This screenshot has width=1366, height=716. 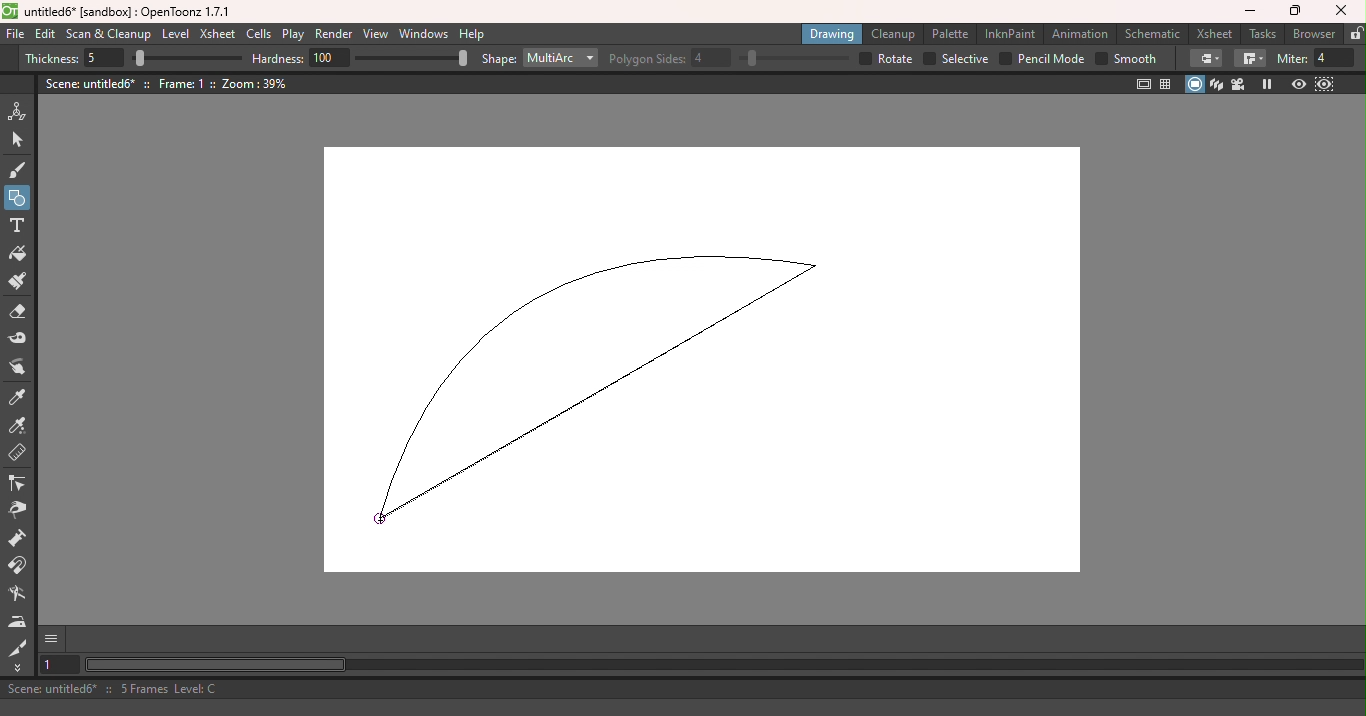 I want to click on Cutter tool, so click(x=15, y=646).